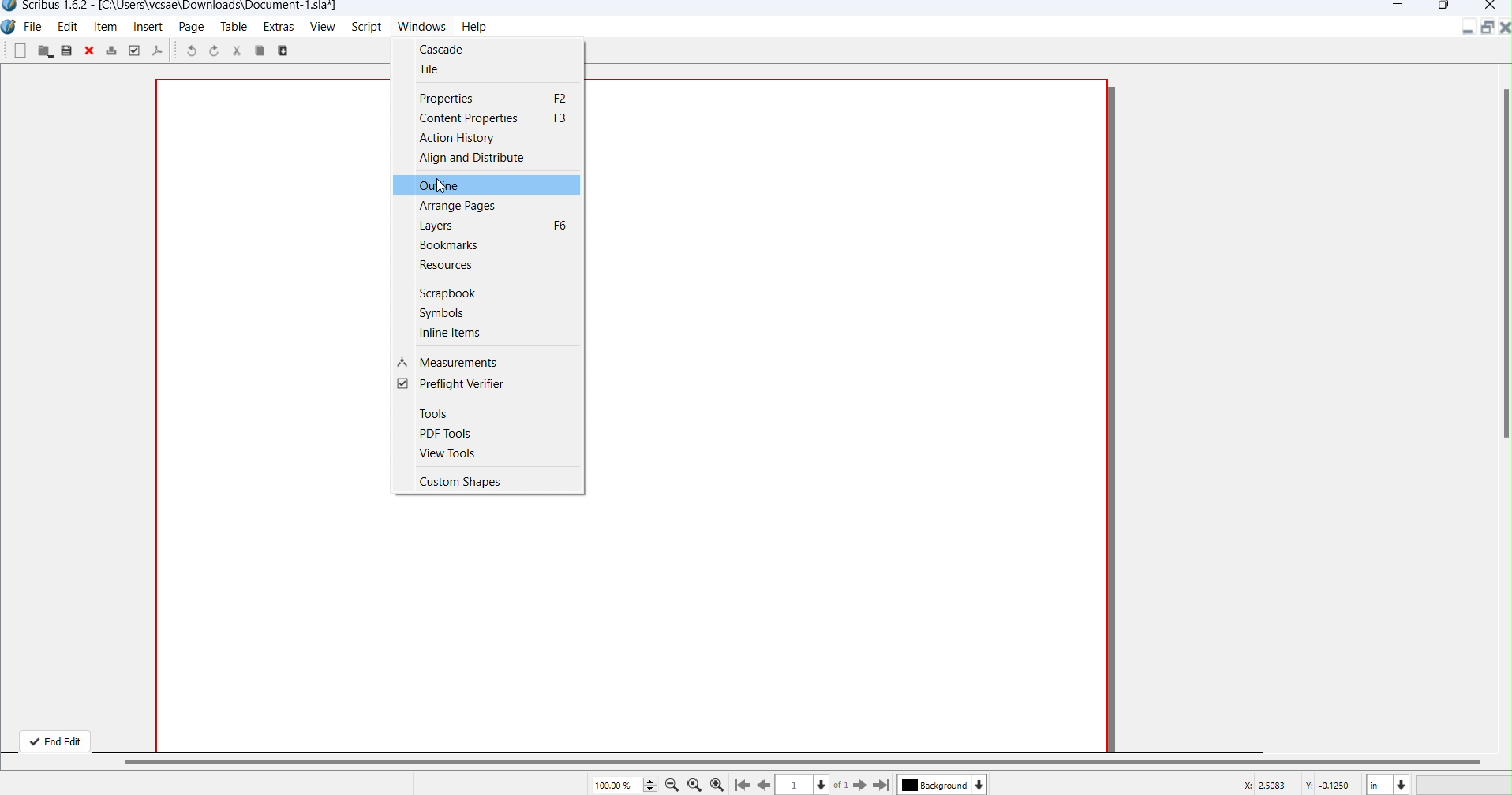  What do you see at coordinates (1387, 784) in the screenshot?
I see `select inches` at bounding box center [1387, 784].